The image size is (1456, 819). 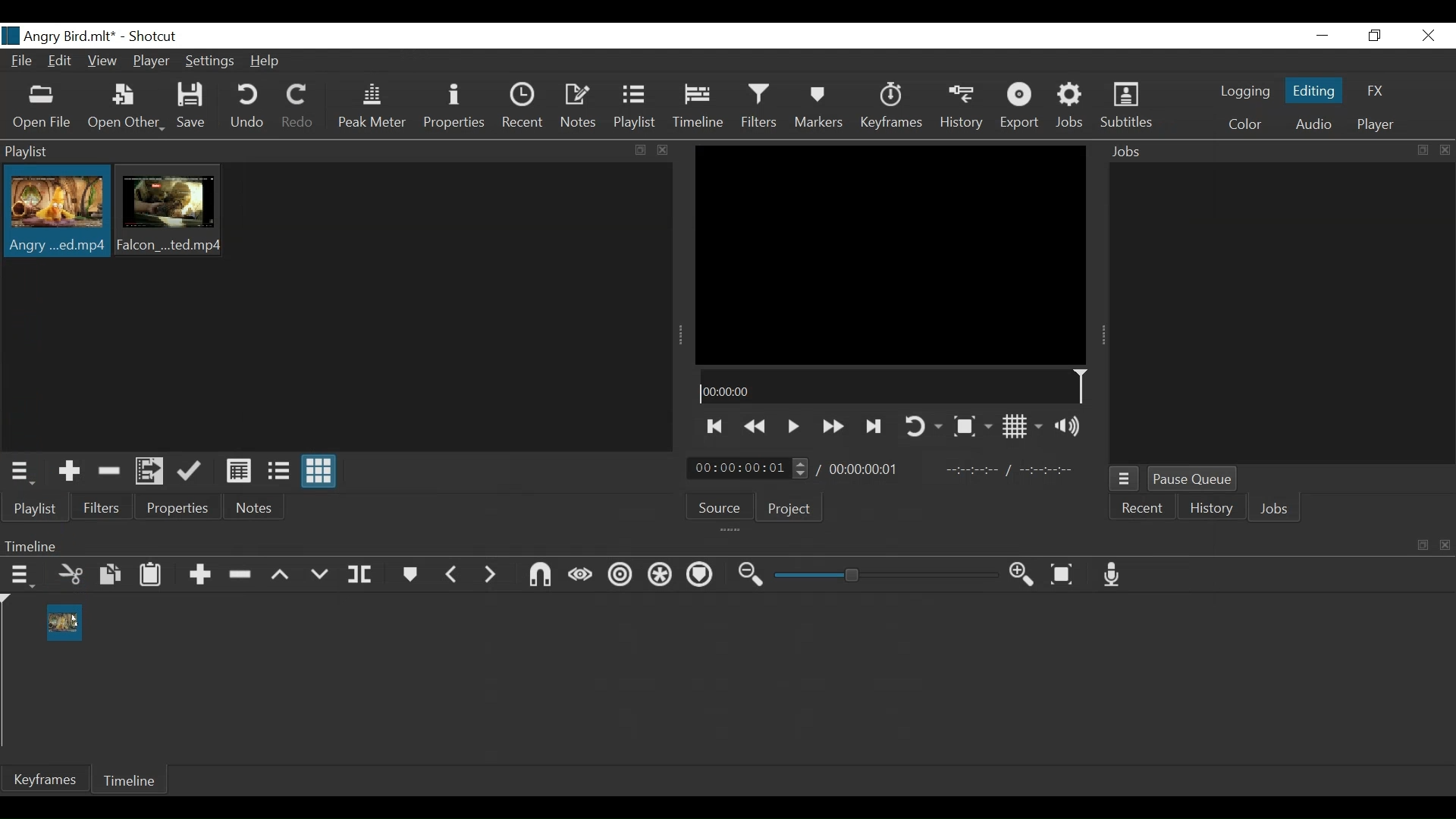 What do you see at coordinates (876, 428) in the screenshot?
I see `Skip to the next point ` at bounding box center [876, 428].